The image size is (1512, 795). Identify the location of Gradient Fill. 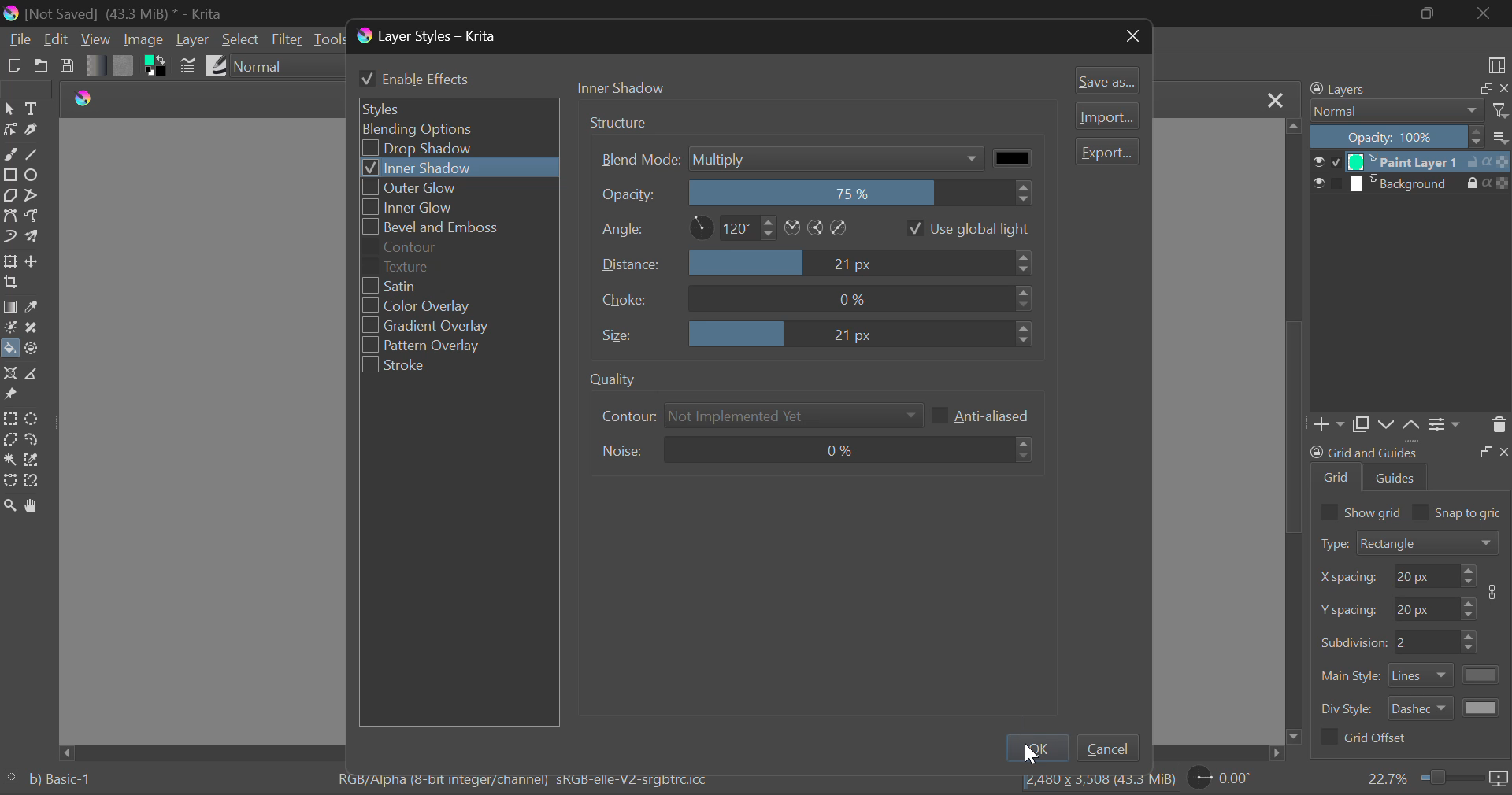
(11, 307).